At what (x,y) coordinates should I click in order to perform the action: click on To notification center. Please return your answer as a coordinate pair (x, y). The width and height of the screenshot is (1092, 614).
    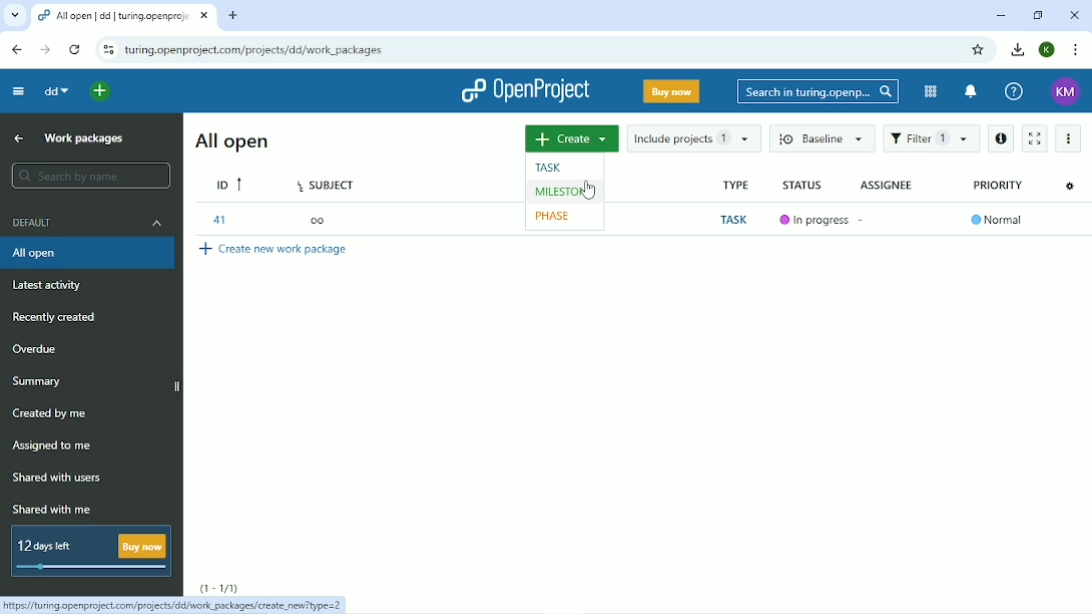
    Looking at the image, I should click on (971, 91).